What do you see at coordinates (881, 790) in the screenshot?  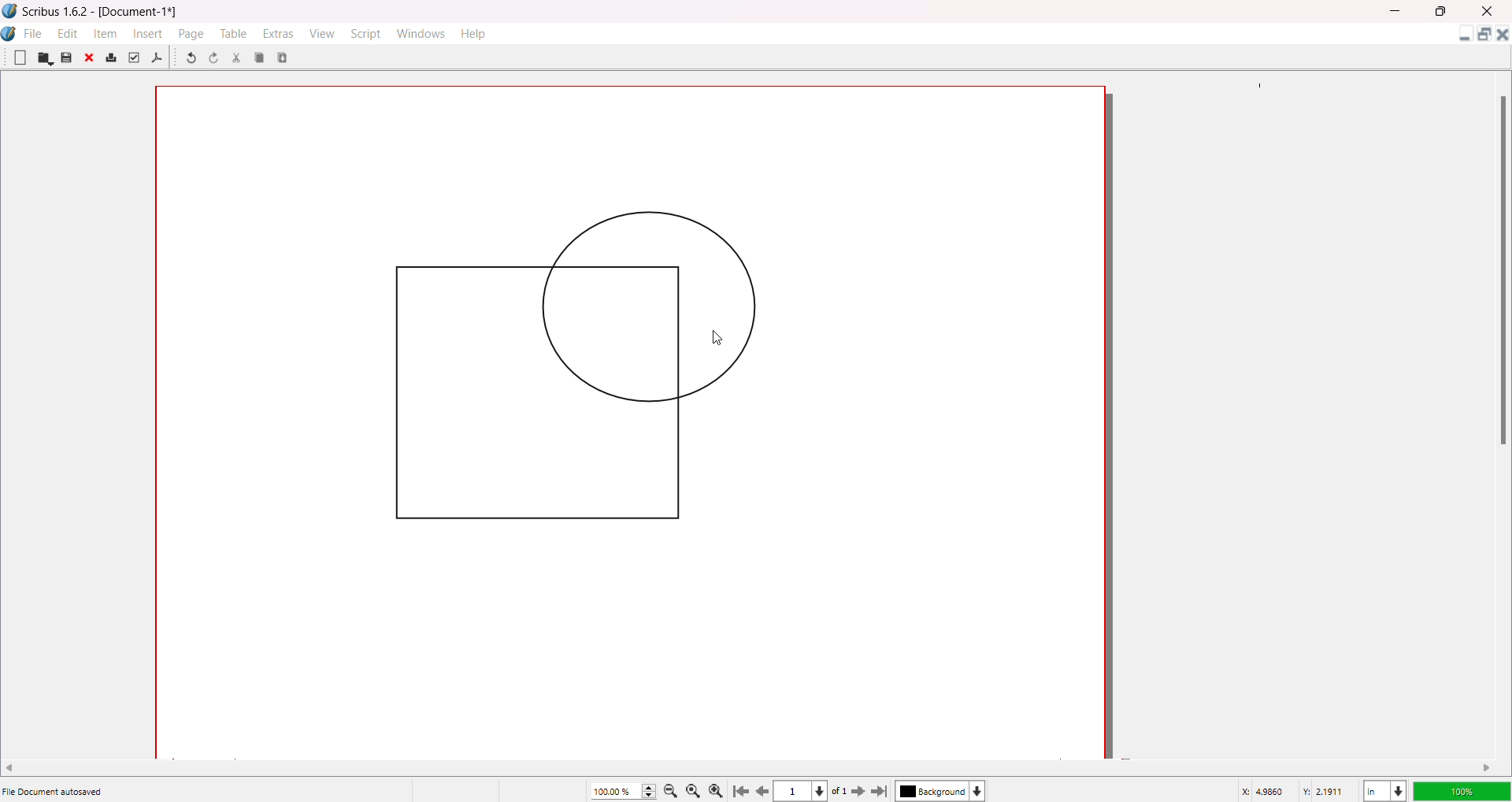 I see `Last` at bounding box center [881, 790].